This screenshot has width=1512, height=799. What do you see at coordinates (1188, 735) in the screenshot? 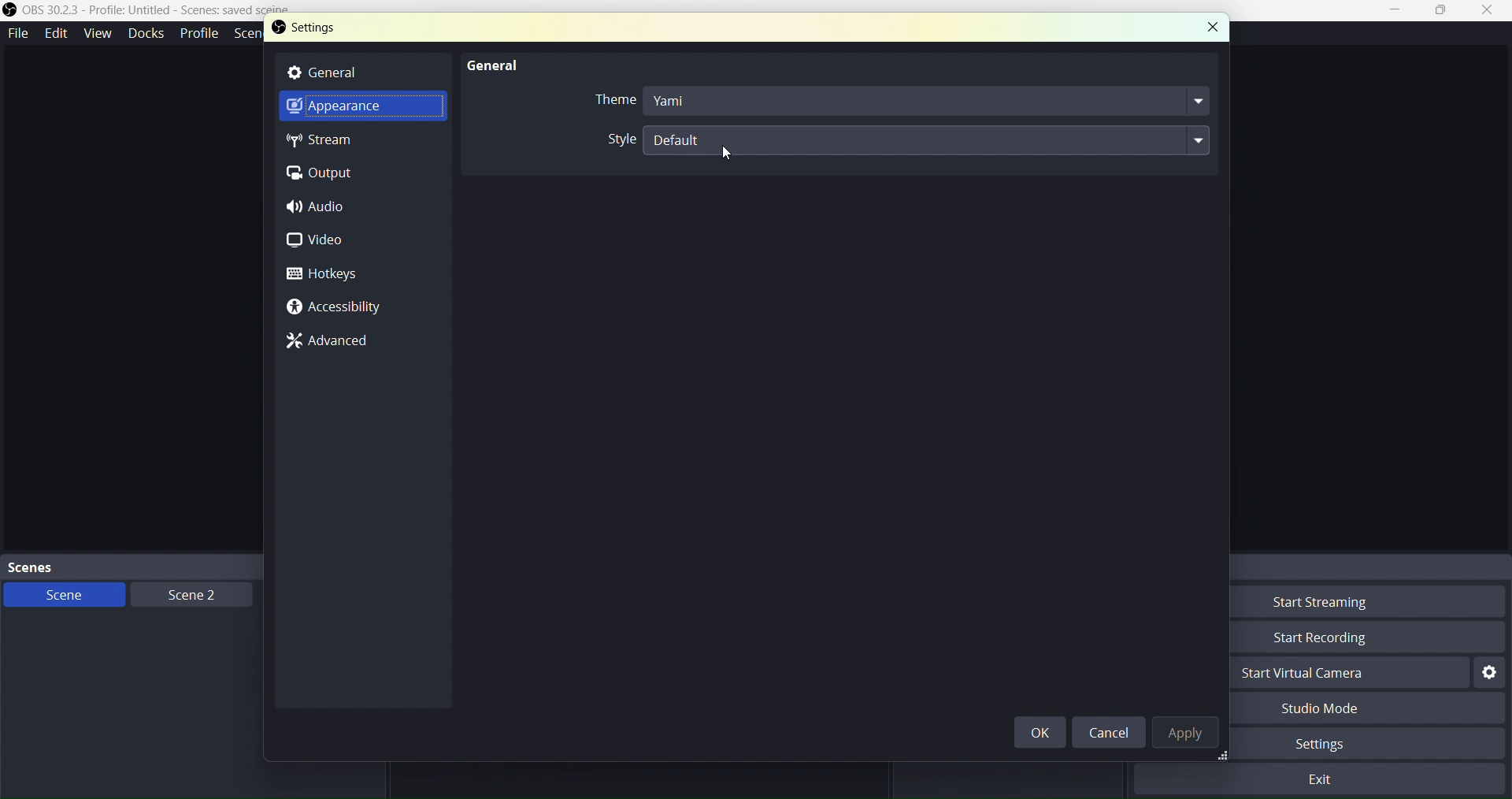
I see `Apply` at bounding box center [1188, 735].